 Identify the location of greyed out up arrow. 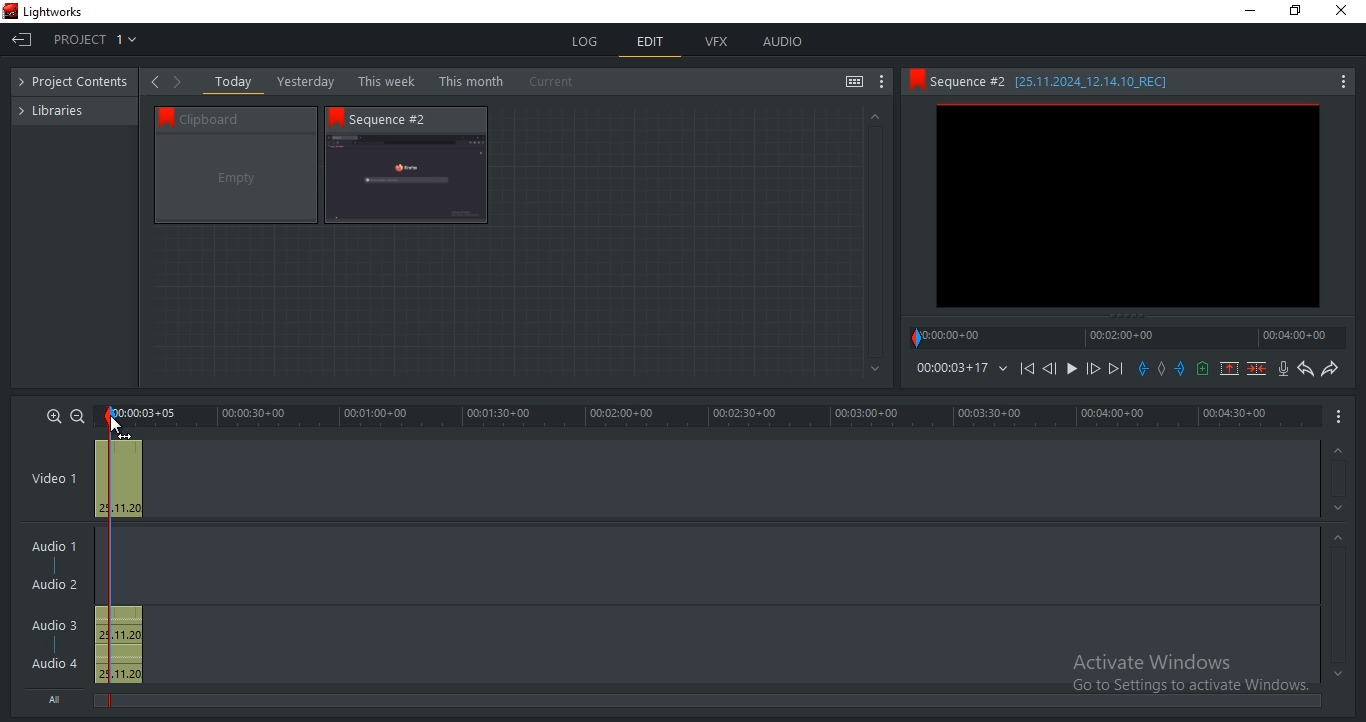
(873, 115).